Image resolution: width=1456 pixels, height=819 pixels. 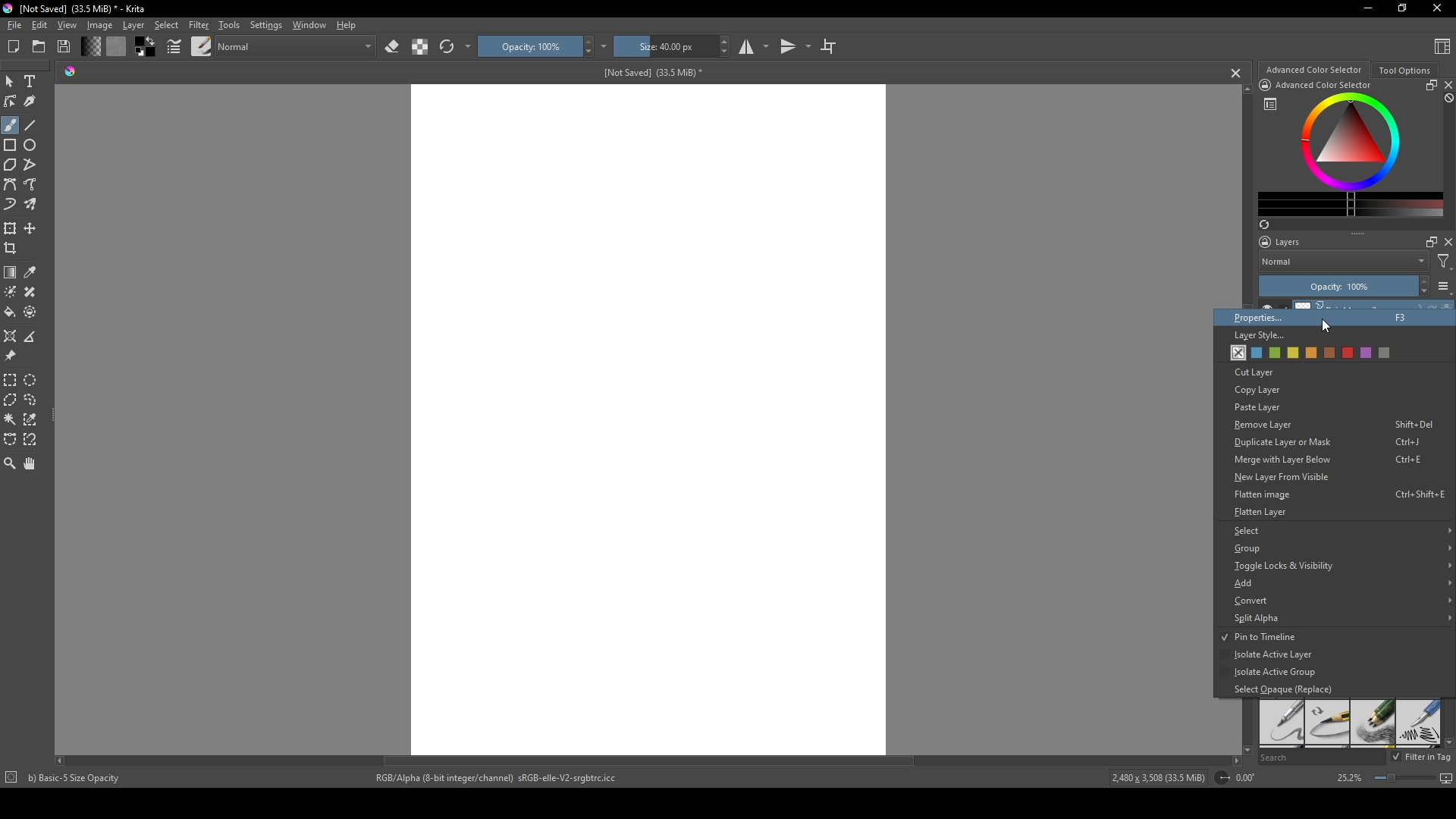 What do you see at coordinates (1244, 748) in the screenshot?
I see `scroll down` at bounding box center [1244, 748].